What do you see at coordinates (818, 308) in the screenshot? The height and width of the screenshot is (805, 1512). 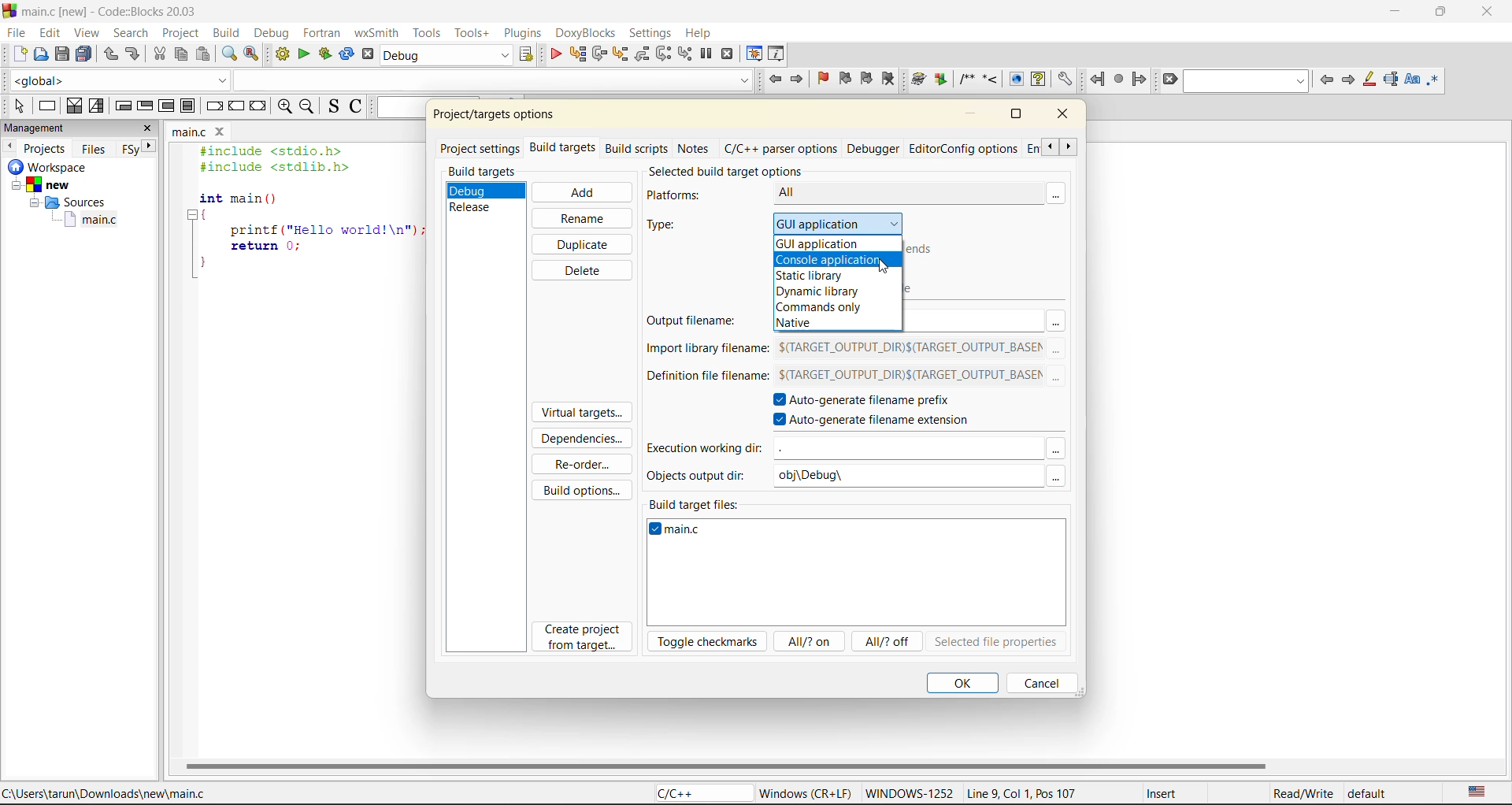 I see `commands only` at bounding box center [818, 308].